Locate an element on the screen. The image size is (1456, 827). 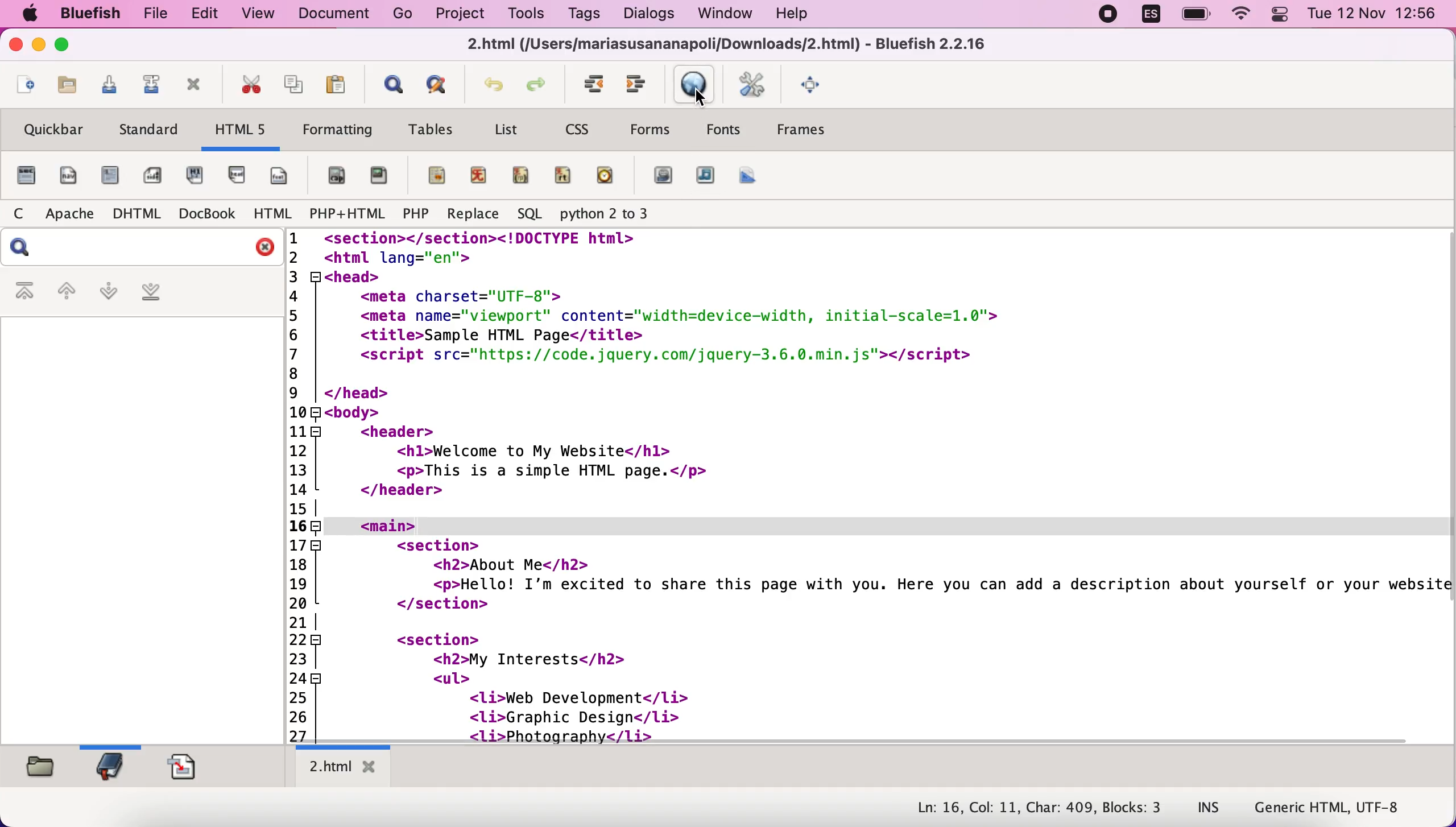
c is located at coordinates (18, 217).